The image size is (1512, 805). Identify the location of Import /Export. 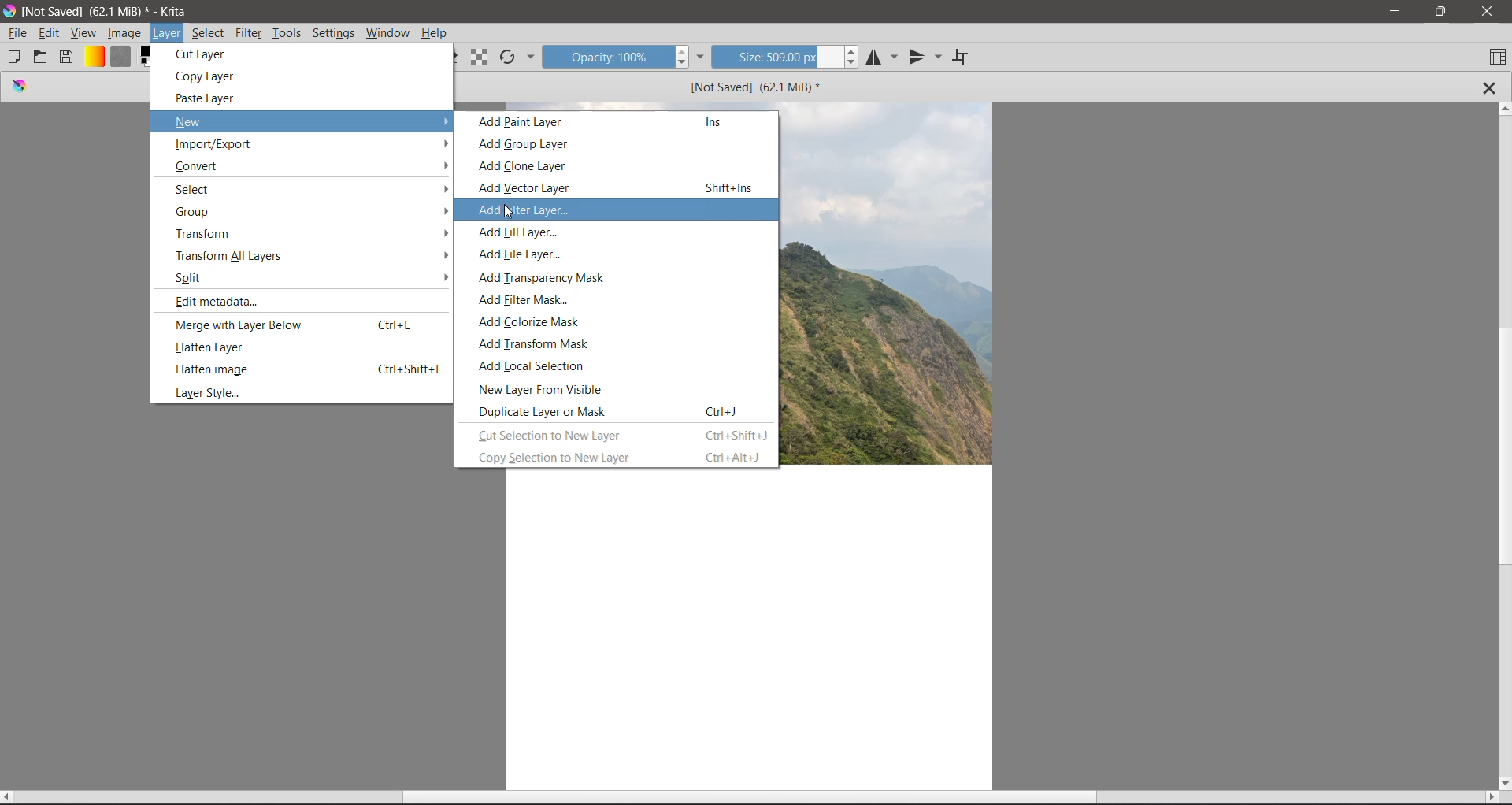
(309, 145).